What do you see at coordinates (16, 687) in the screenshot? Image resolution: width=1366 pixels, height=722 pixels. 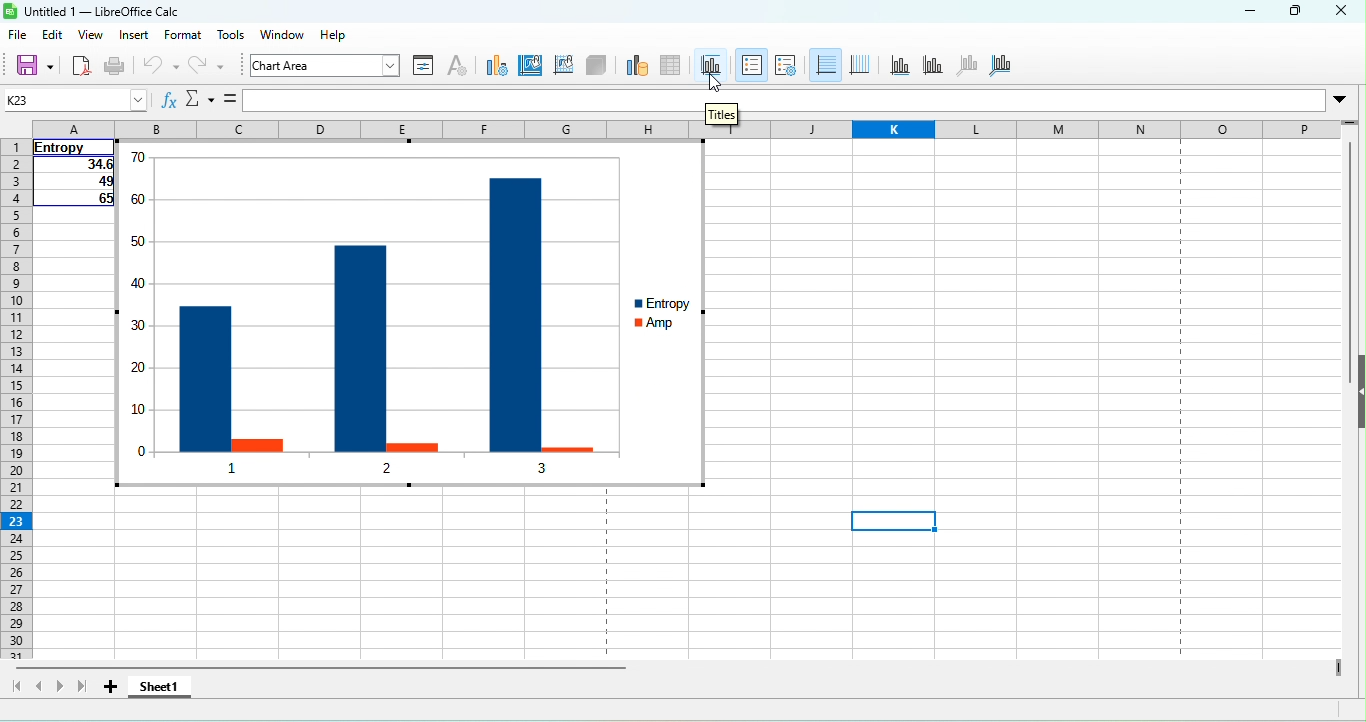 I see `scroll to first sheet` at bounding box center [16, 687].